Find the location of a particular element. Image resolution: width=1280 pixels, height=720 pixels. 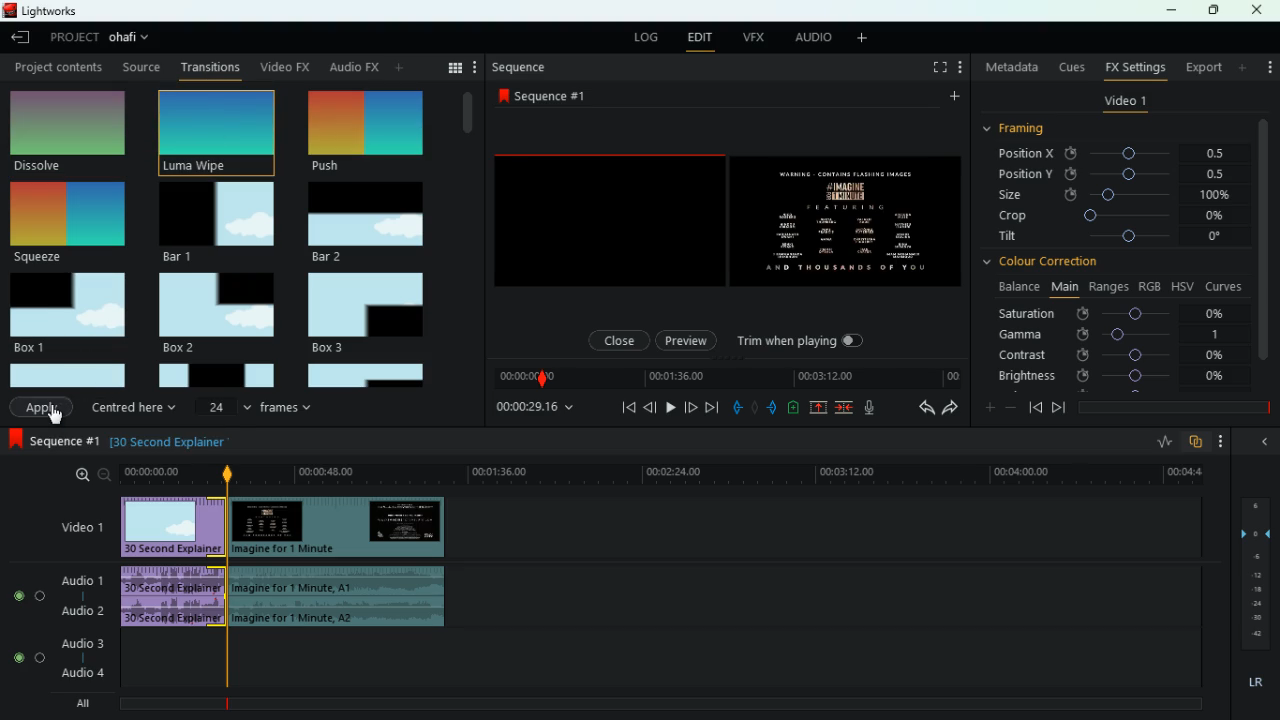

metadata is located at coordinates (1012, 67).